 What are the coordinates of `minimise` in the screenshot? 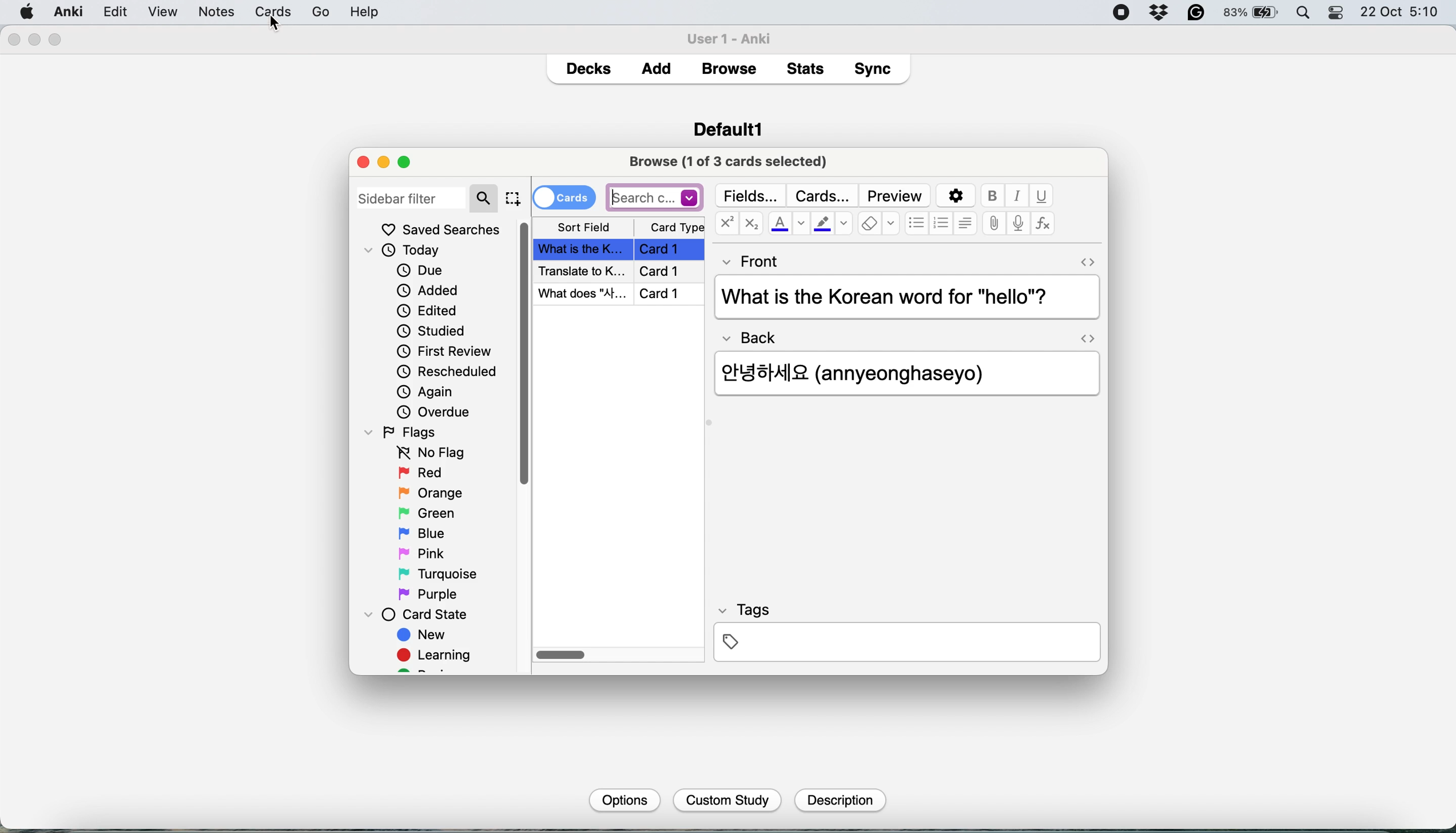 It's located at (35, 39).